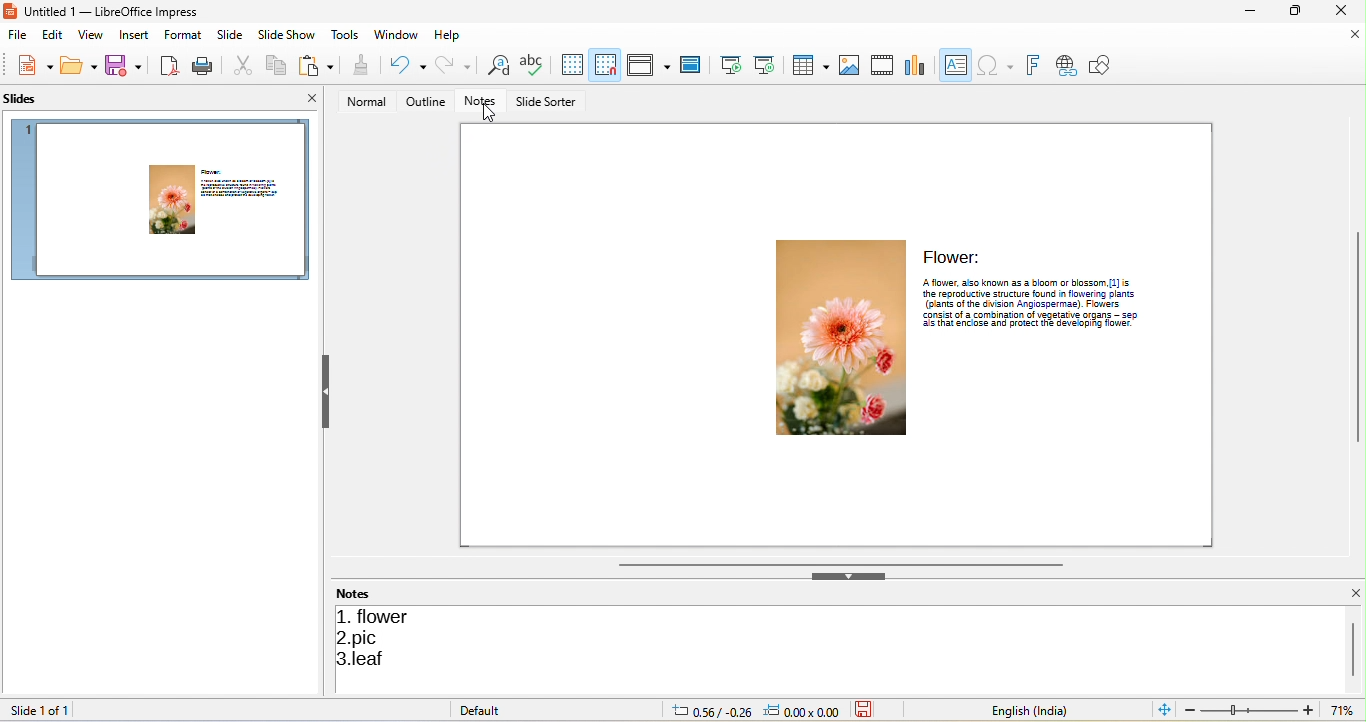  What do you see at coordinates (726, 67) in the screenshot?
I see `start from first slide` at bounding box center [726, 67].